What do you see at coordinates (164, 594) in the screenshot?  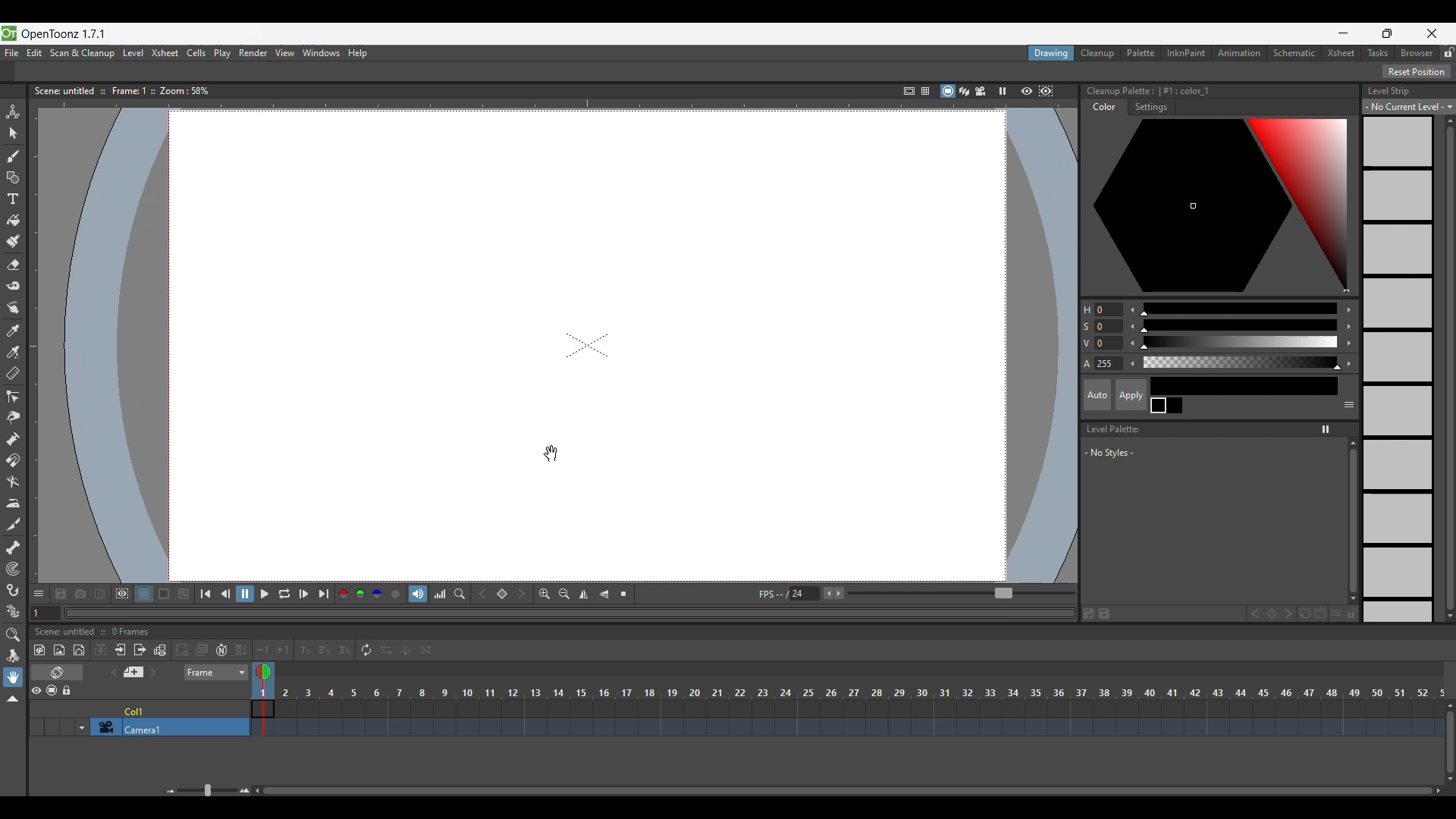 I see `Black background` at bounding box center [164, 594].